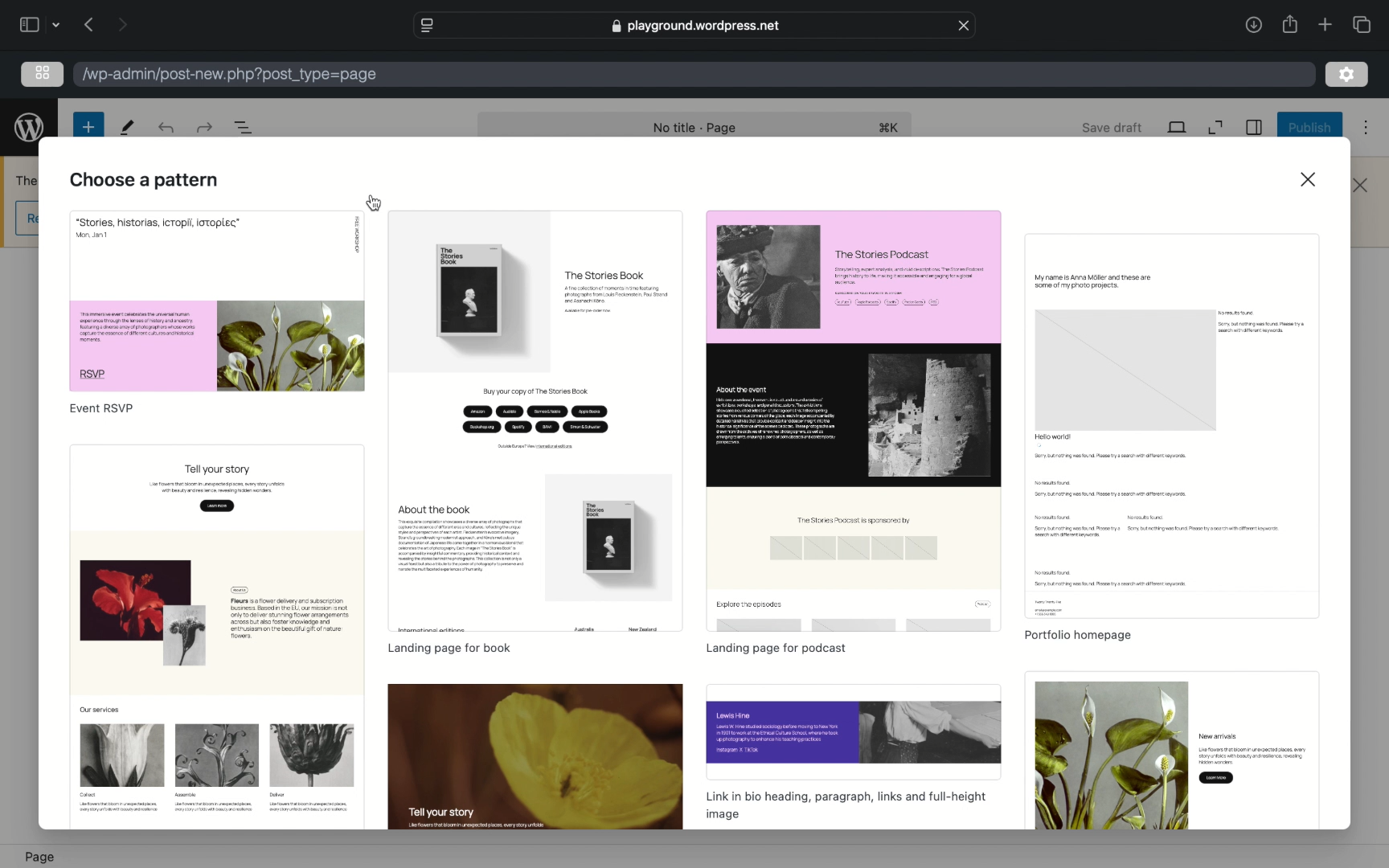 The height and width of the screenshot is (868, 1389). Describe the element at coordinates (1174, 752) in the screenshot. I see `preview` at that location.